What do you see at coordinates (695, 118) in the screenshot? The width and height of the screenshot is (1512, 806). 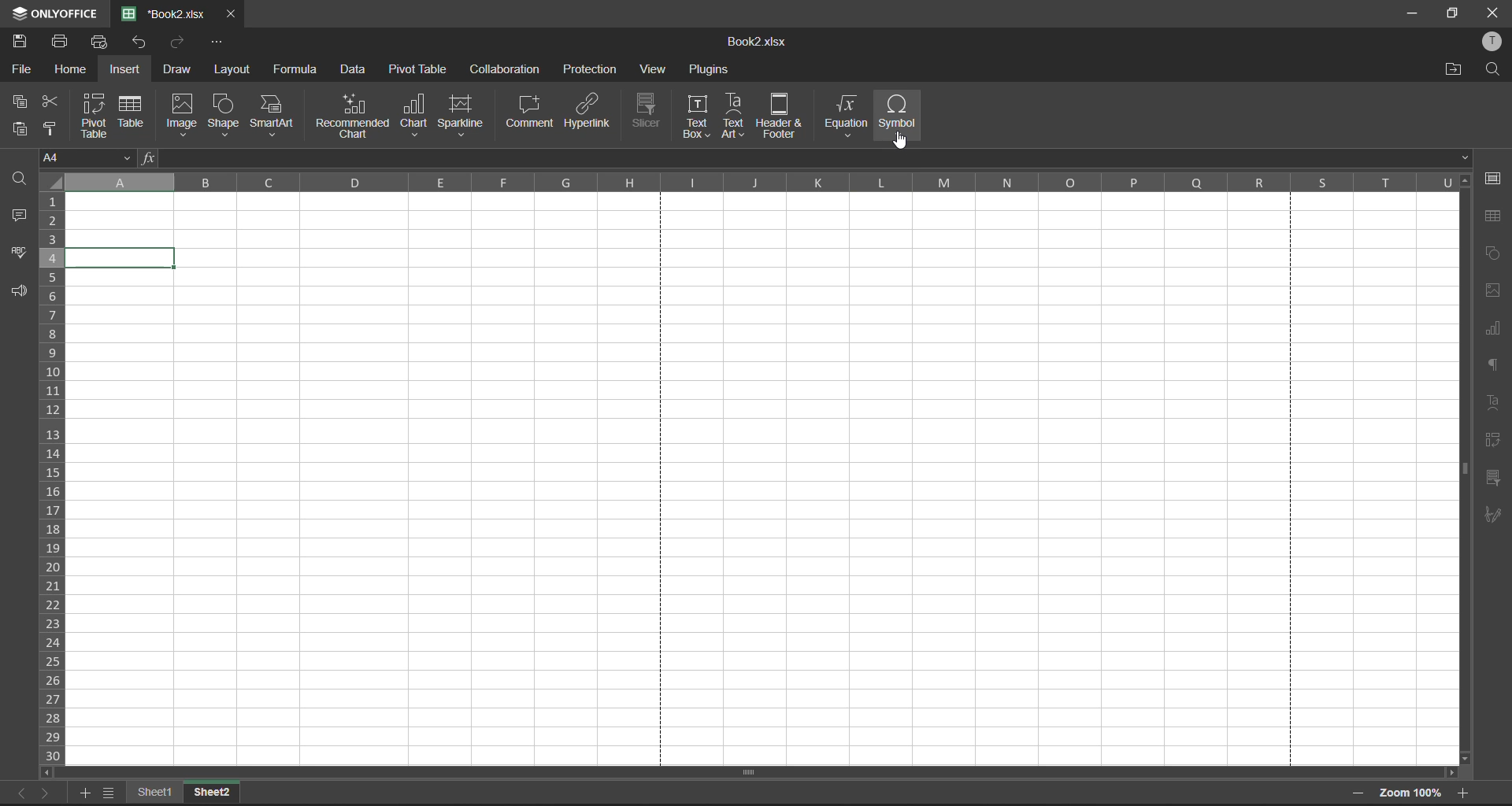 I see `text box` at bounding box center [695, 118].